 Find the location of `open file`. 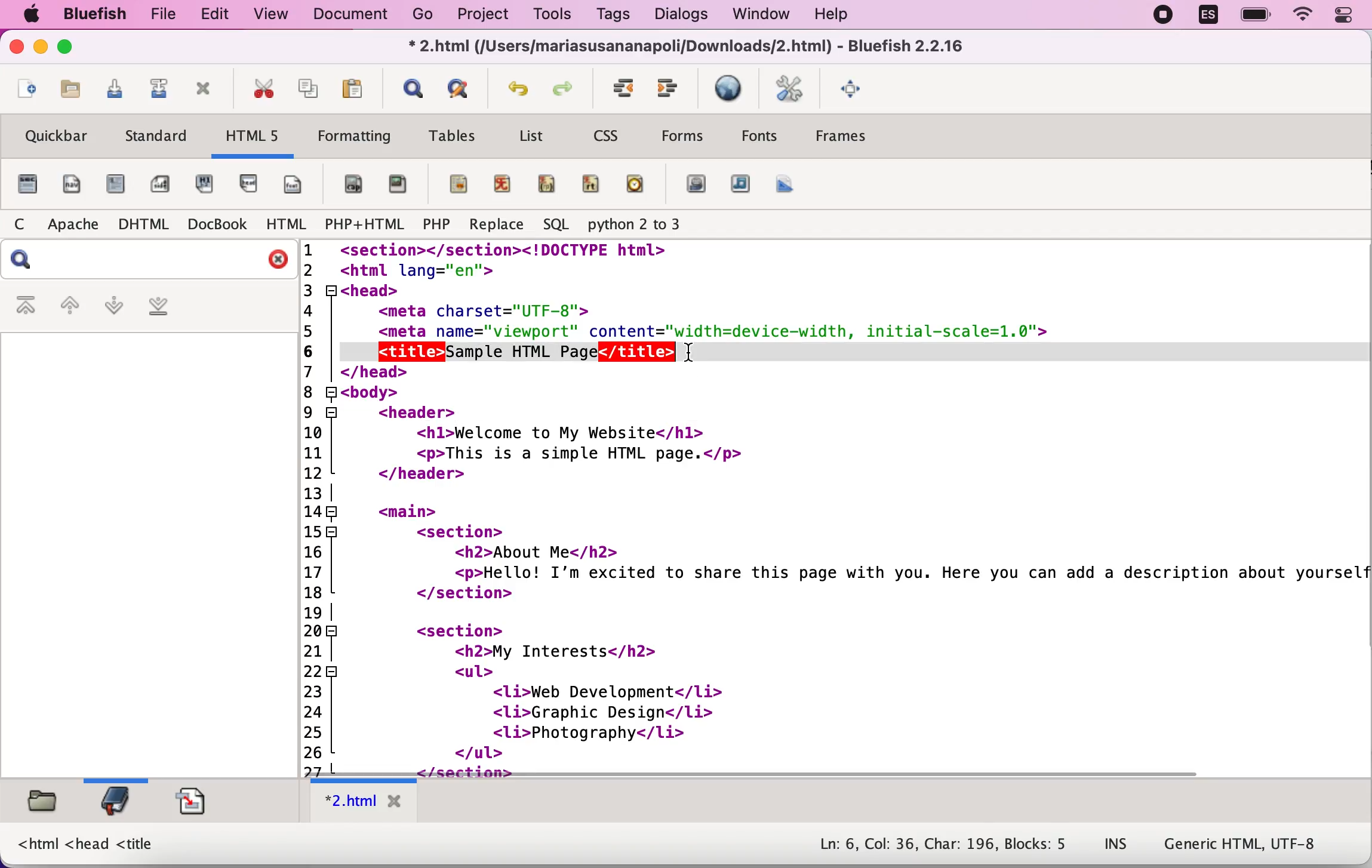

open file is located at coordinates (71, 90).